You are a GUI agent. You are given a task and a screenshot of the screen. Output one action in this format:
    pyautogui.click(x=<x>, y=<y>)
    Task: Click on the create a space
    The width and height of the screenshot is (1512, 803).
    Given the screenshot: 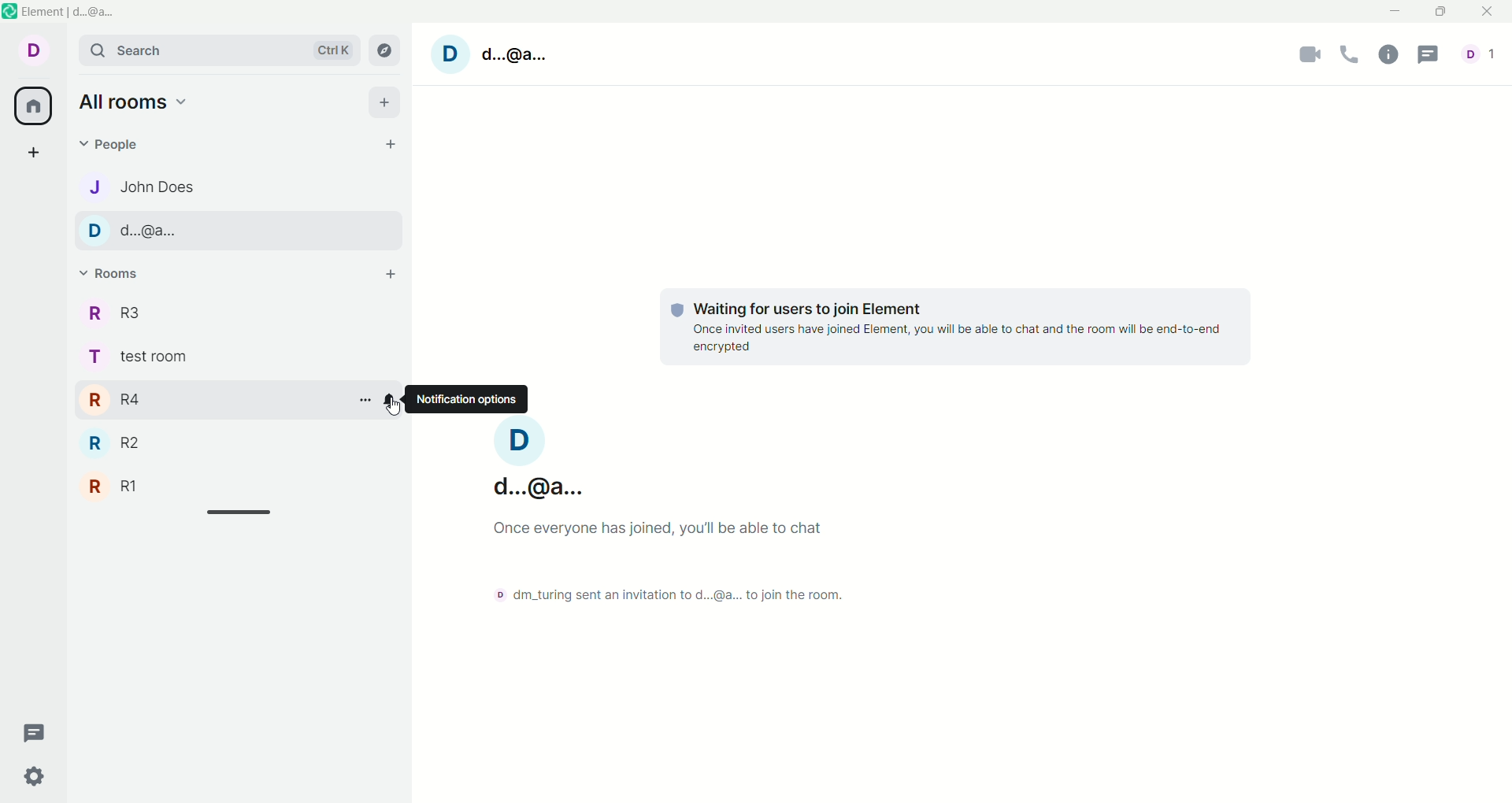 What is the action you would take?
    pyautogui.click(x=35, y=152)
    